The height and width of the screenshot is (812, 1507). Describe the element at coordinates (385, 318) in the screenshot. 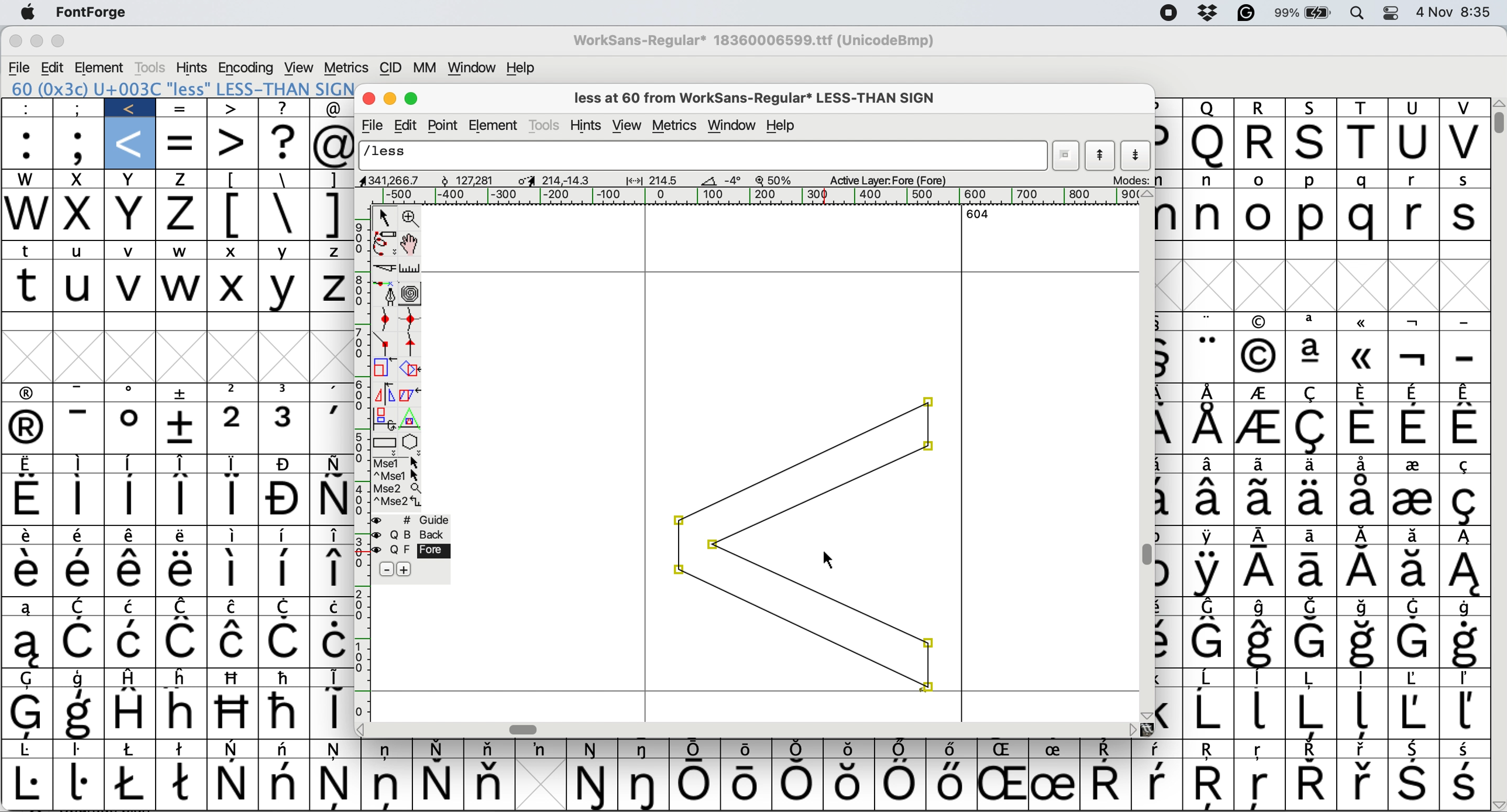

I see `add a curve point` at that location.